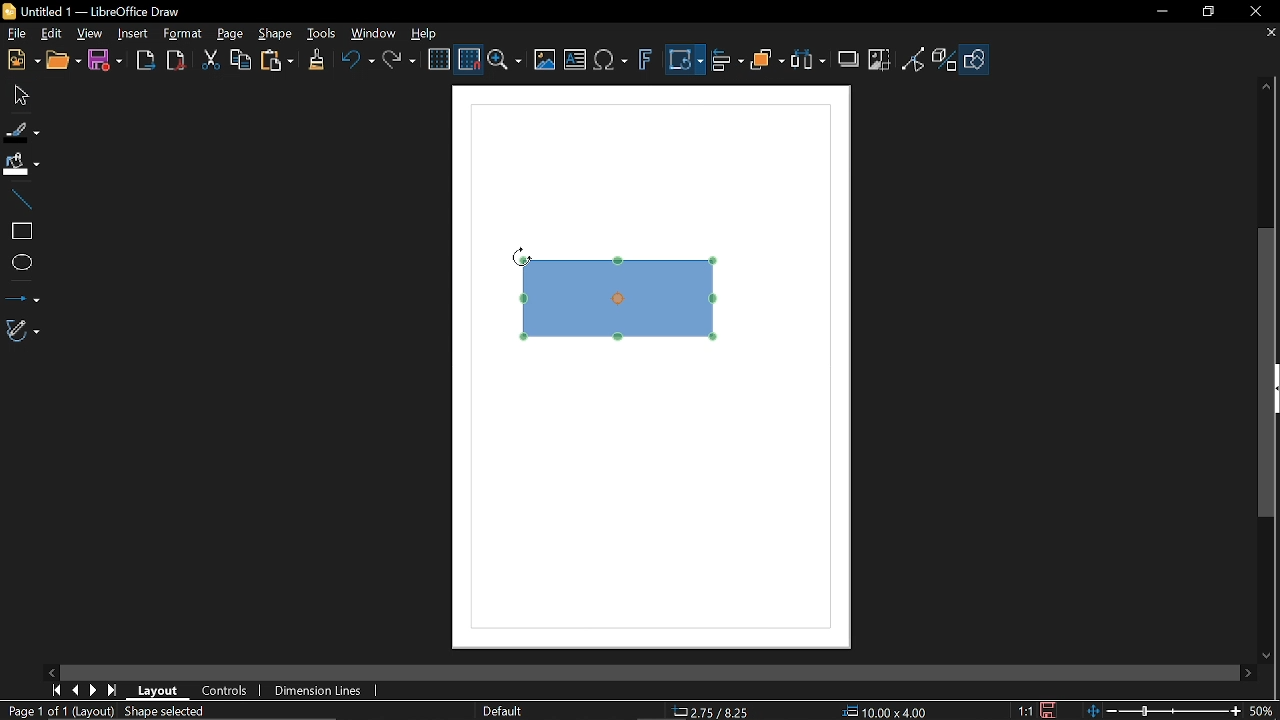  Describe the element at coordinates (52, 671) in the screenshot. I see `MOve left` at that location.